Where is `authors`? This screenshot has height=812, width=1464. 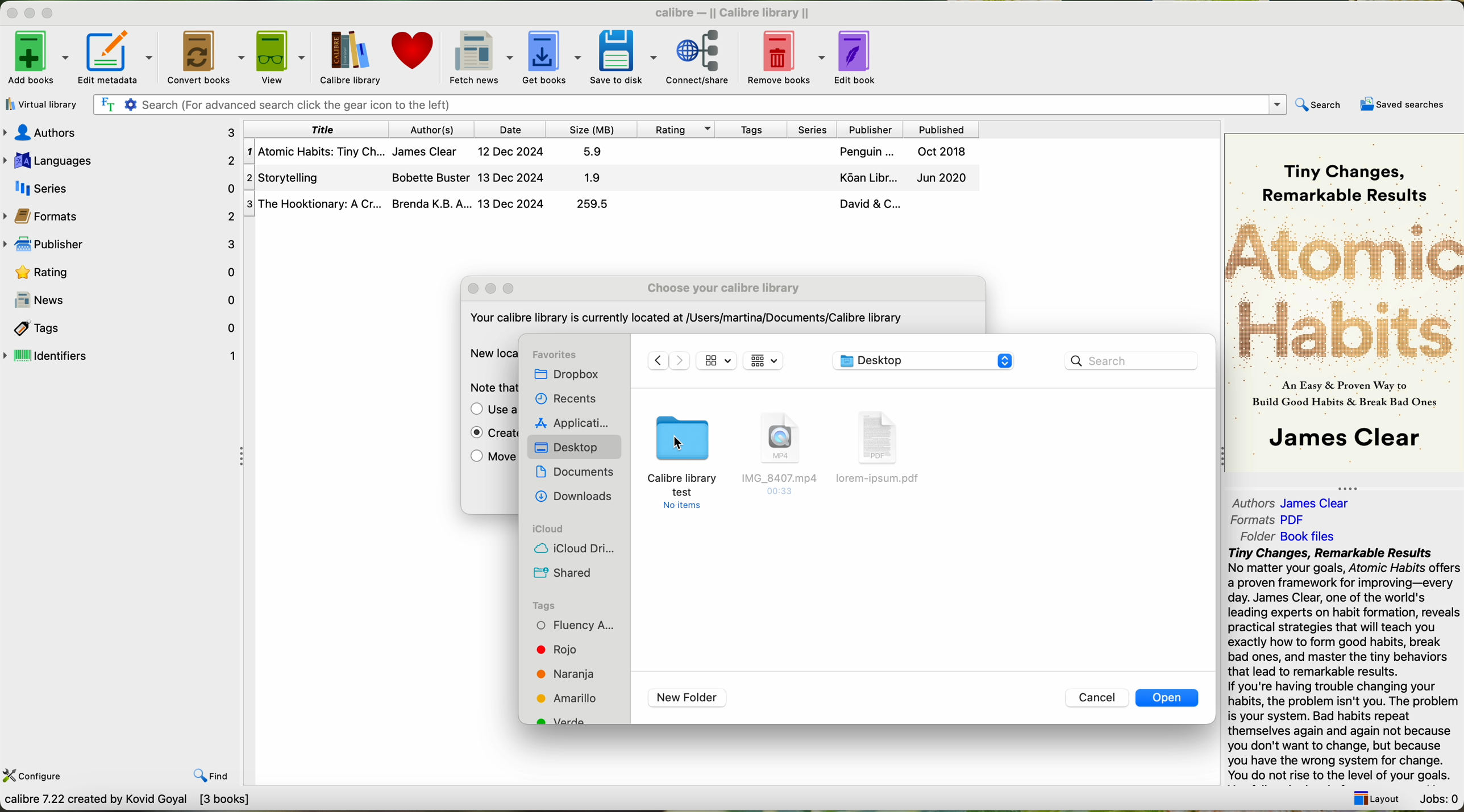
authors is located at coordinates (124, 132).